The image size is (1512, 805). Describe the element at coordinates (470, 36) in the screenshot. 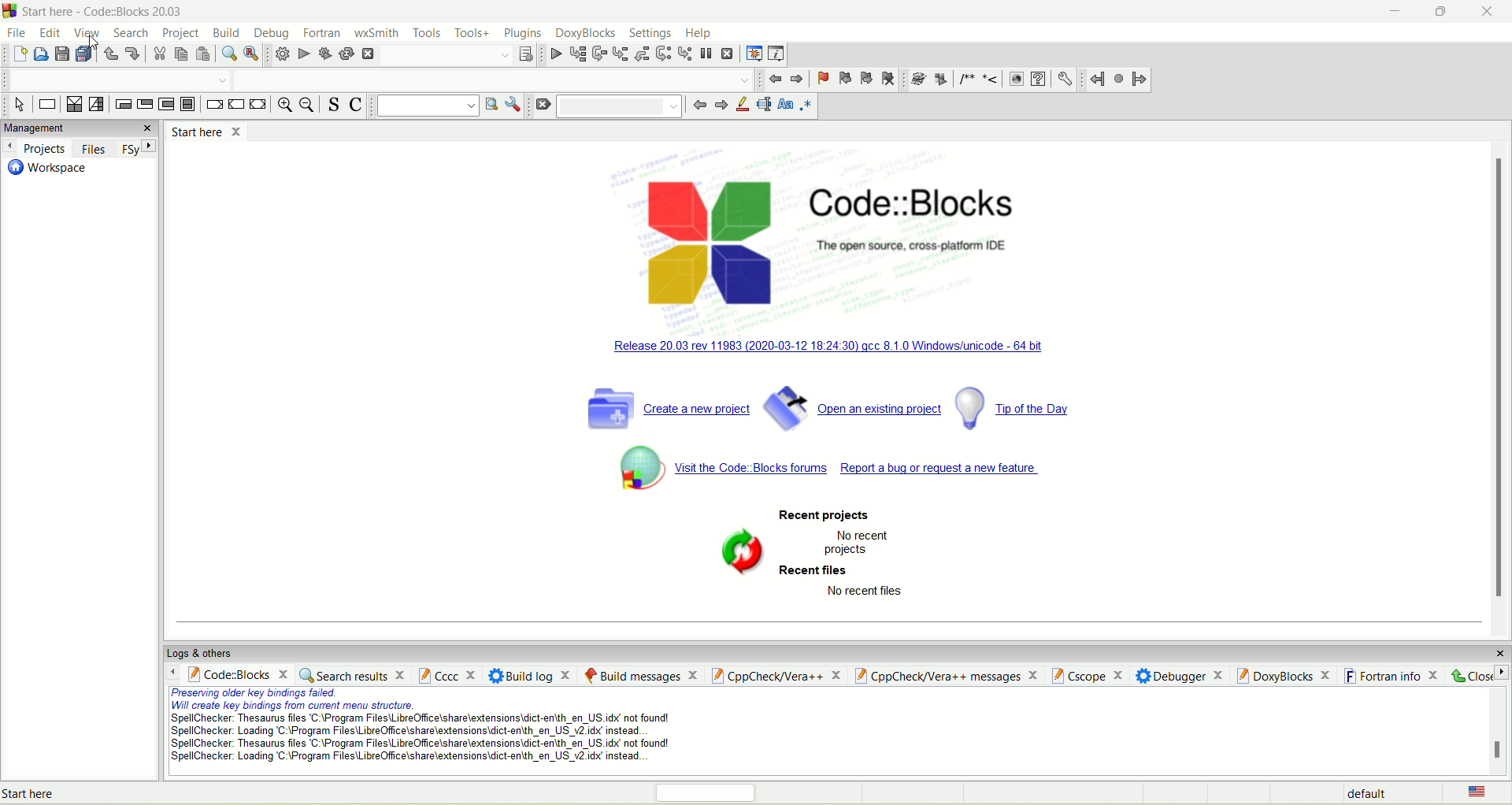

I see `tools+` at that location.